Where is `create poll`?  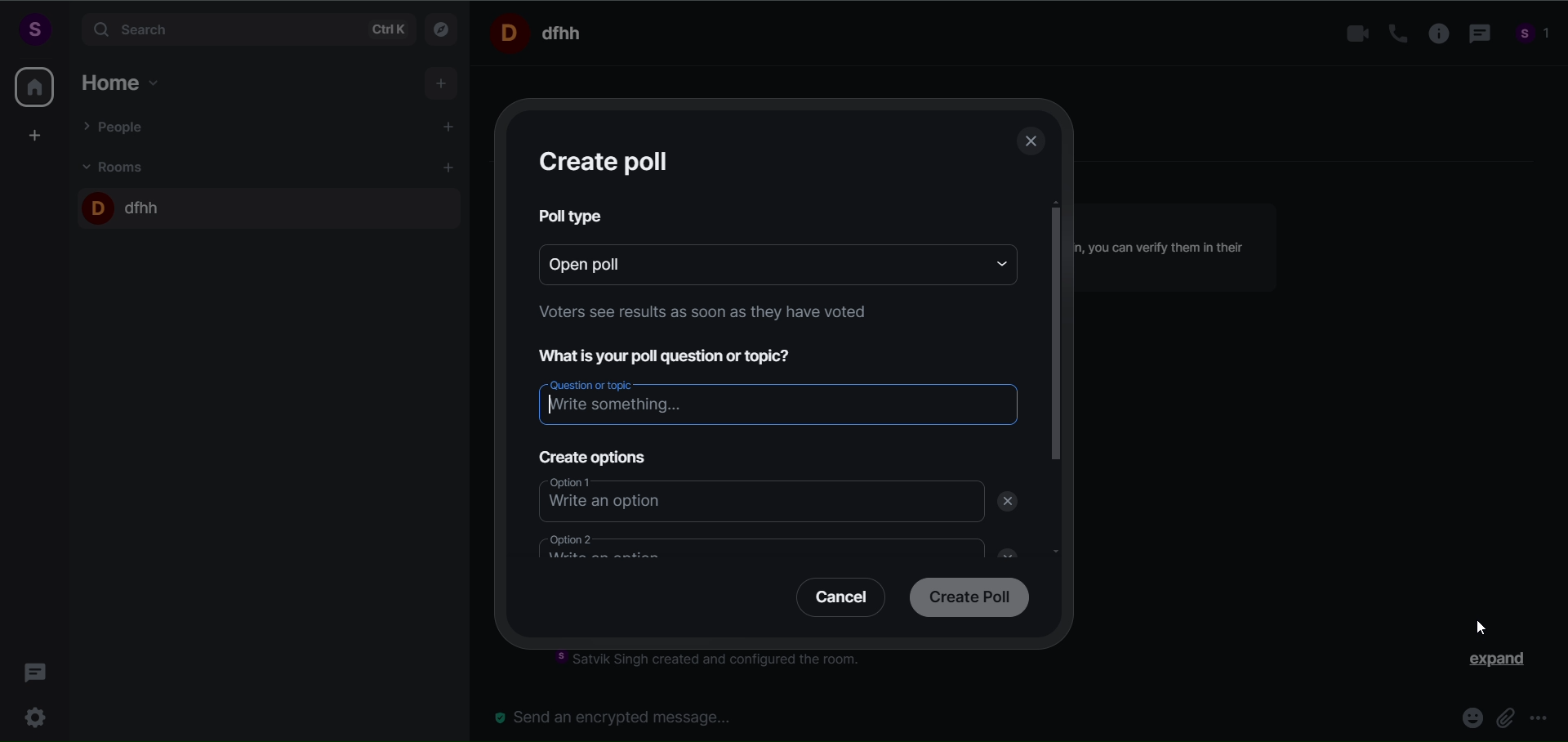 create poll is located at coordinates (608, 161).